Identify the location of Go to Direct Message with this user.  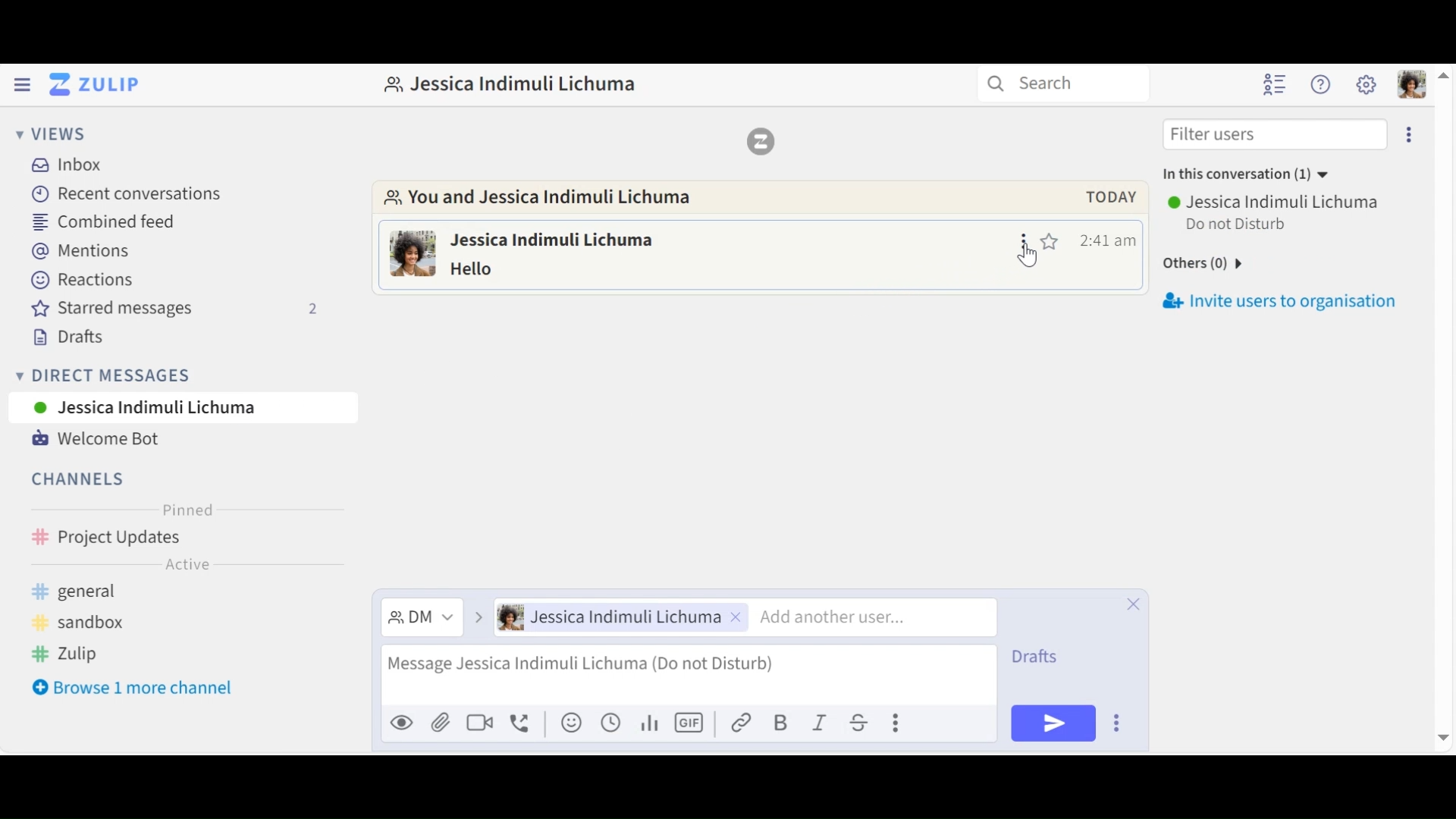
(549, 200).